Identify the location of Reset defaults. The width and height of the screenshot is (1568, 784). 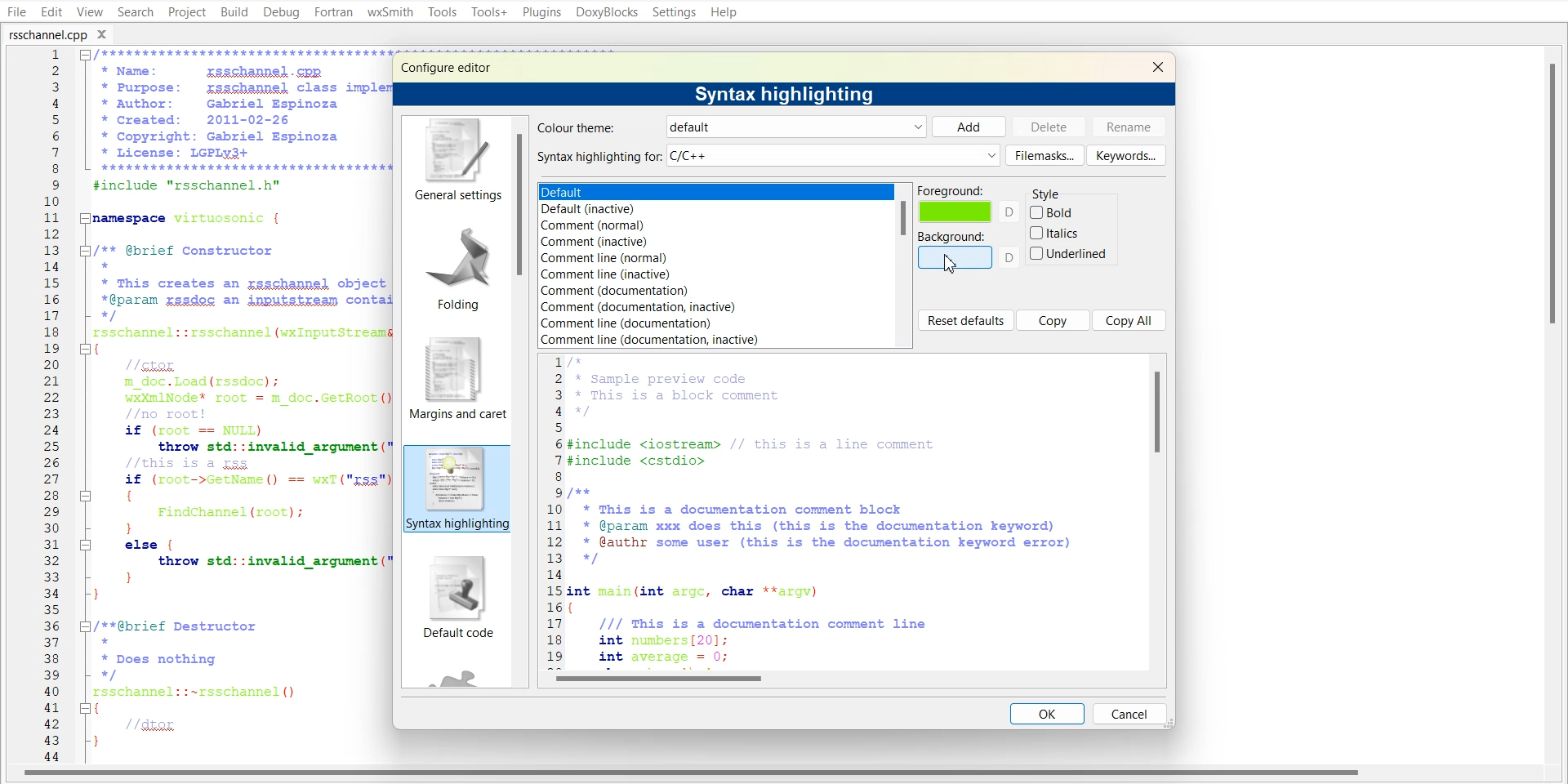
(965, 320).